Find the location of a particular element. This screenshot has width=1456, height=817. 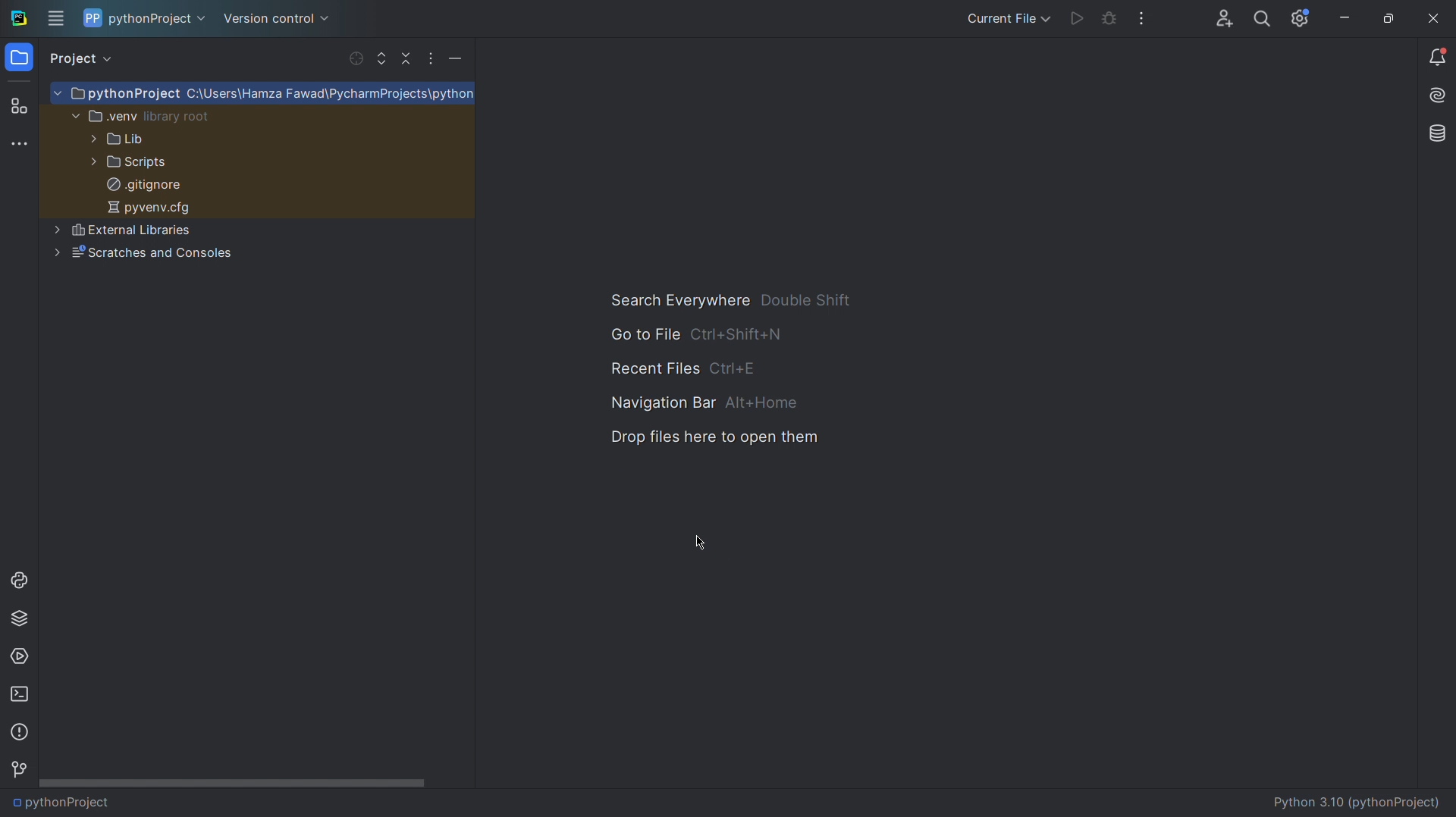

search is located at coordinates (1260, 20).